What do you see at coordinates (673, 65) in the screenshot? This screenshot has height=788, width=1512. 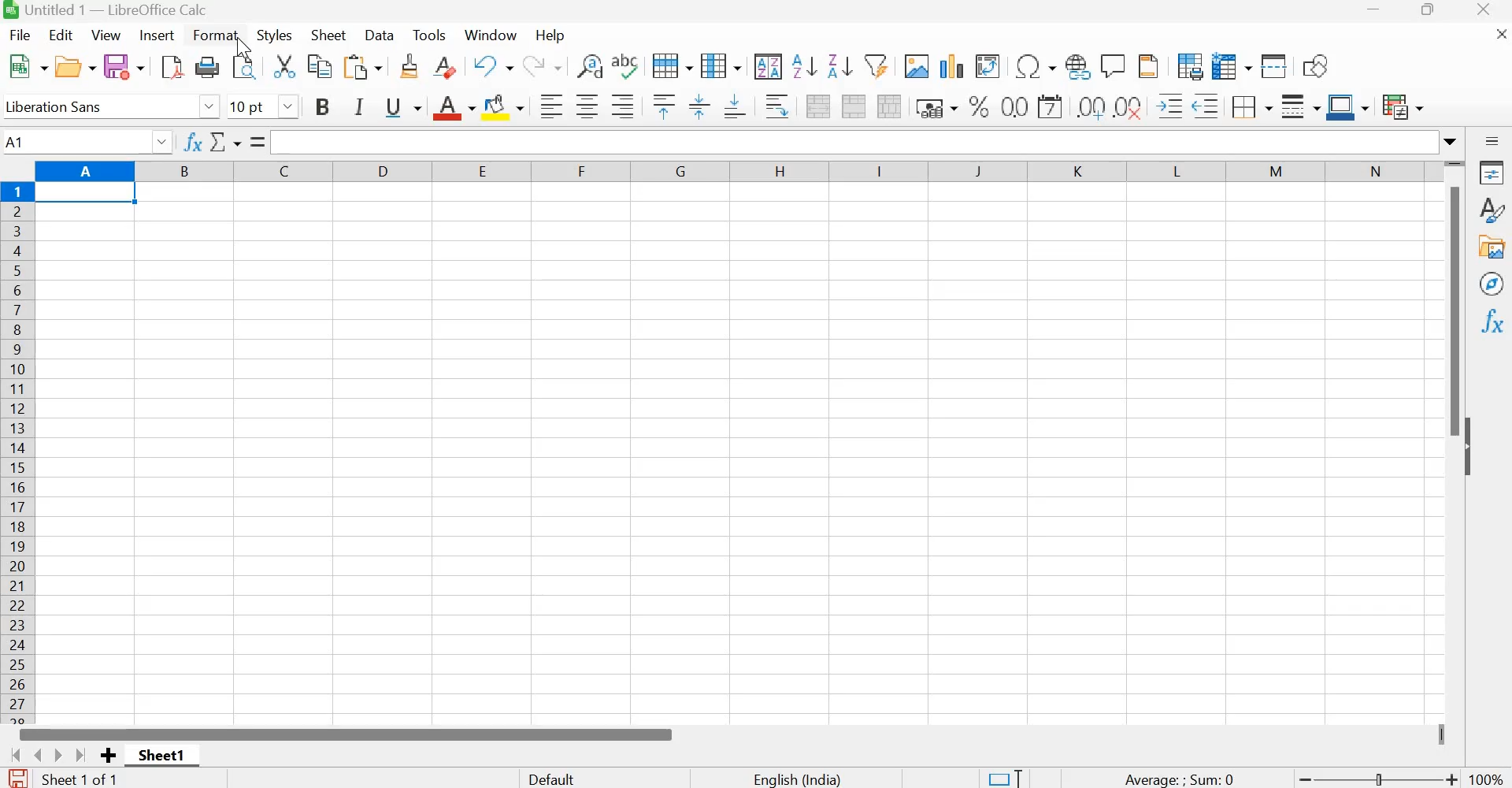 I see `Row` at bounding box center [673, 65].